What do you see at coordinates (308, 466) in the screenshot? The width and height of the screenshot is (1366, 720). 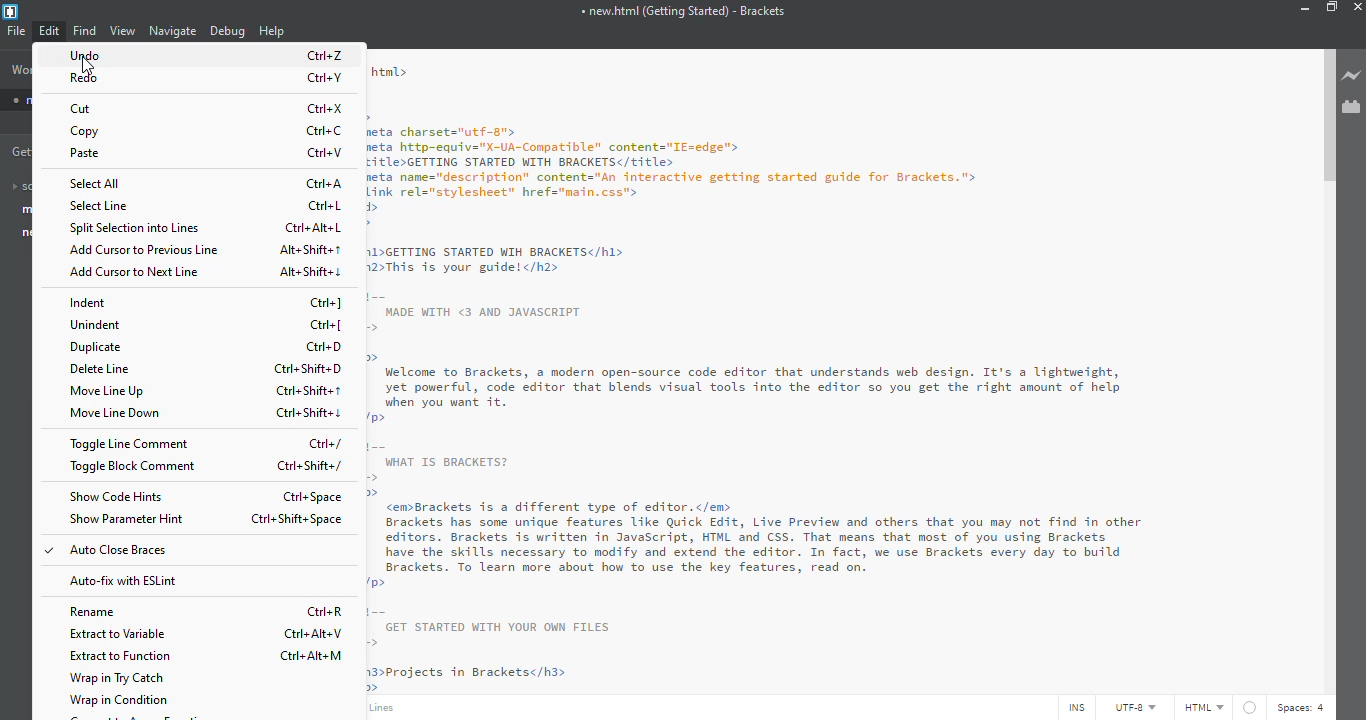 I see `ctrl+shift+/` at bounding box center [308, 466].